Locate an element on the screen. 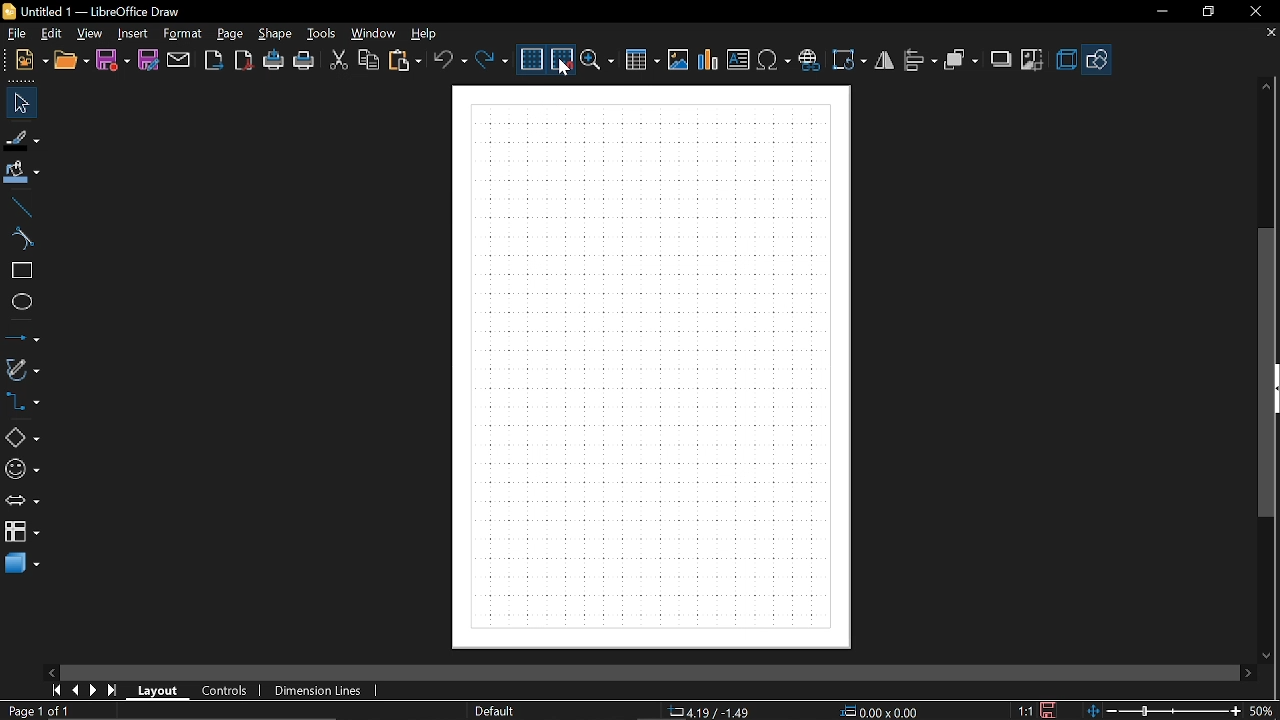 The image size is (1280, 720).  symbols is located at coordinates (775, 60).